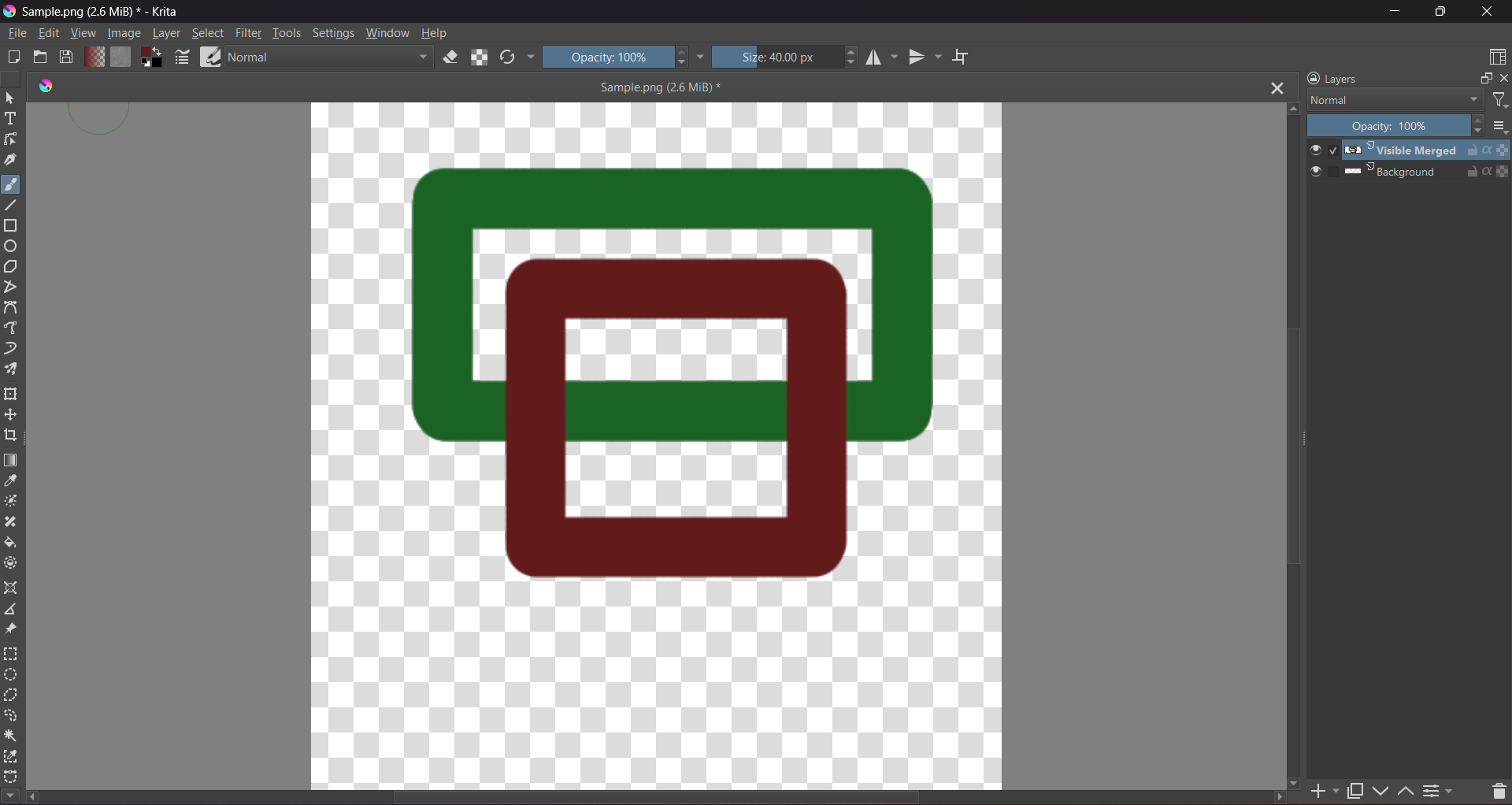 Image resolution: width=1512 pixels, height=805 pixels. What do you see at coordinates (333, 32) in the screenshot?
I see `Settings` at bounding box center [333, 32].